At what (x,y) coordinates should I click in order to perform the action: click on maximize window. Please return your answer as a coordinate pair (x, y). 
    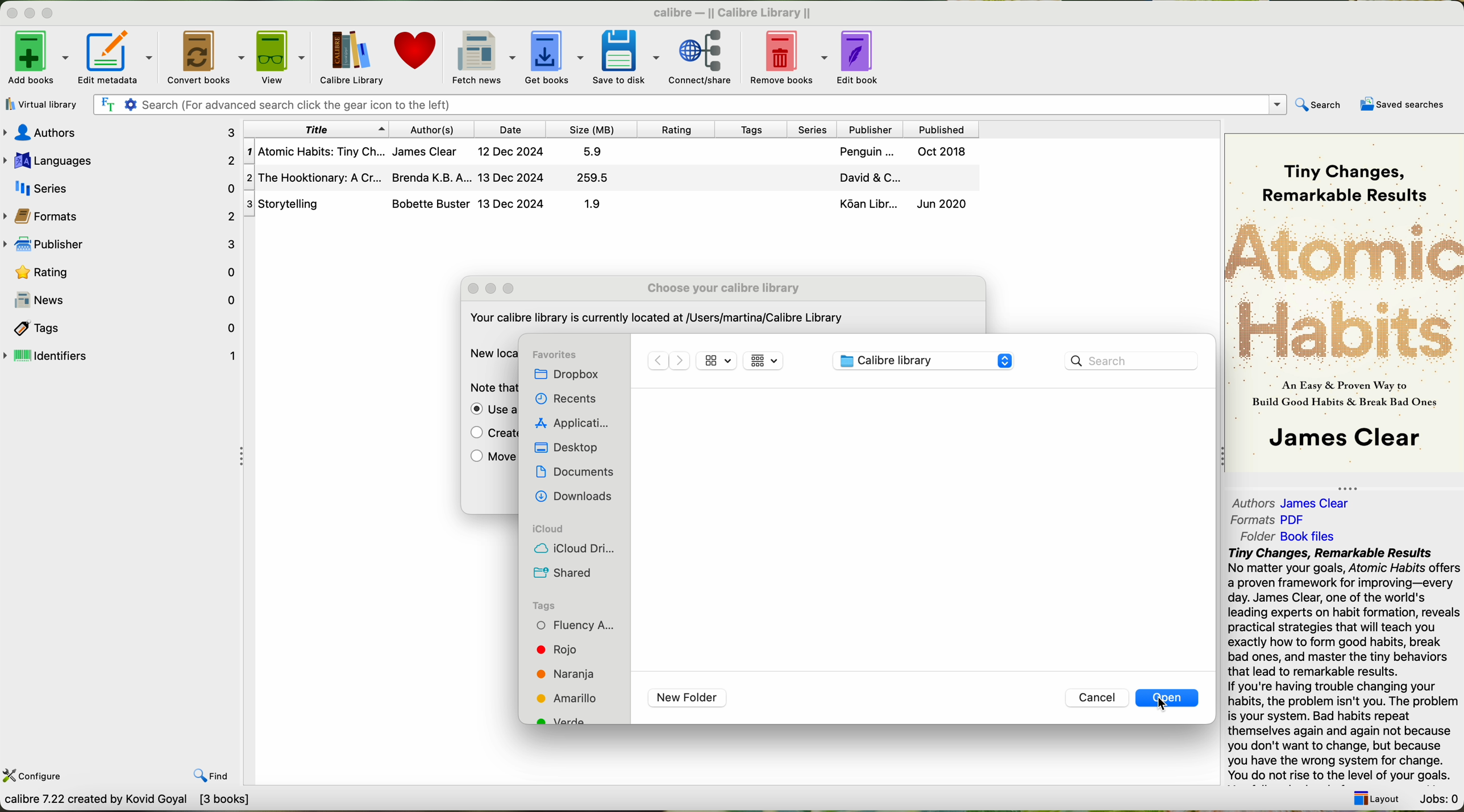
    Looking at the image, I should click on (51, 14).